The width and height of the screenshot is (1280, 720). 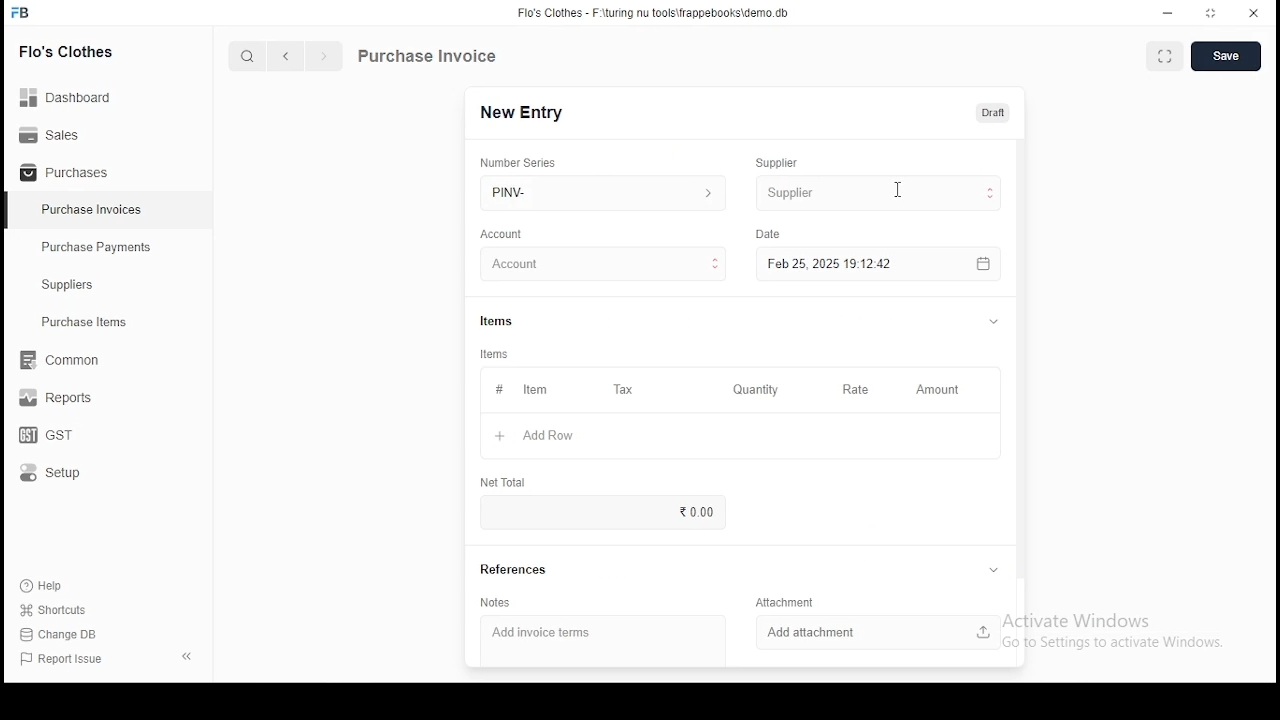 What do you see at coordinates (58, 400) in the screenshot?
I see `reports` at bounding box center [58, 400].